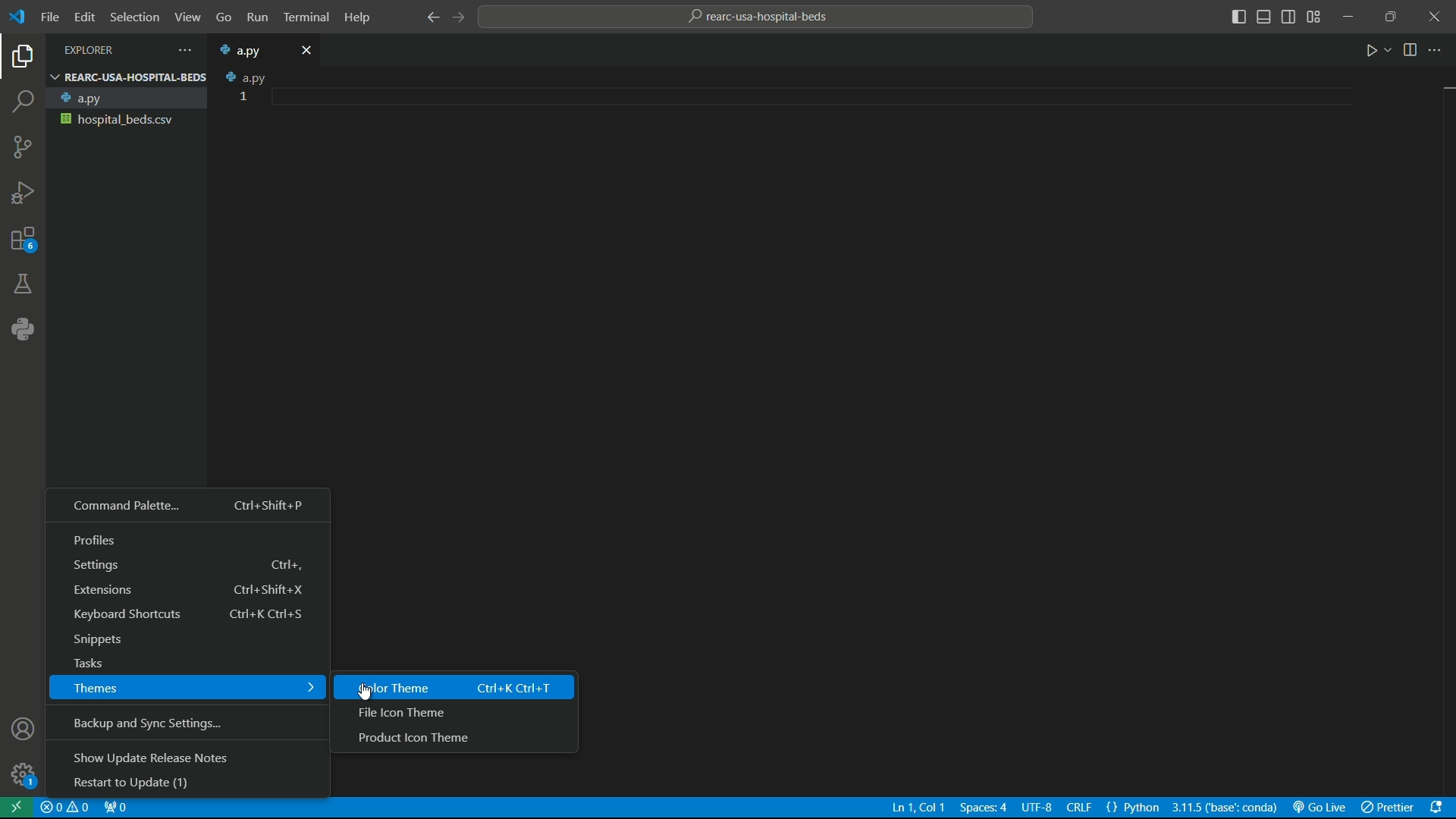 The height and width of the screenshot is (819, 1456). I want to click on show update release notes, so click(184, 759).